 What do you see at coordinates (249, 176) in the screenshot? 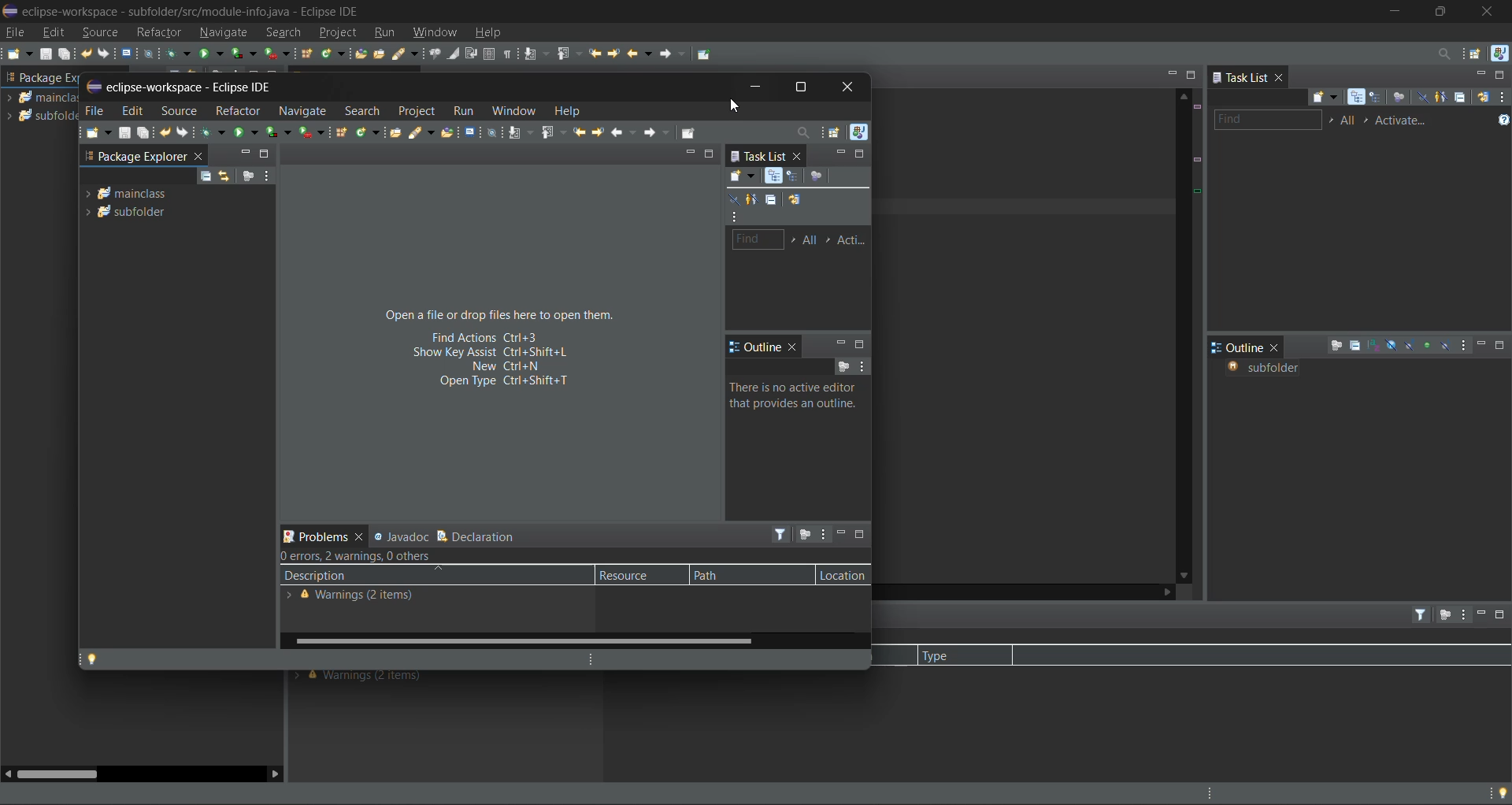
I see `focus on active task` at bounding box center [249, 176].